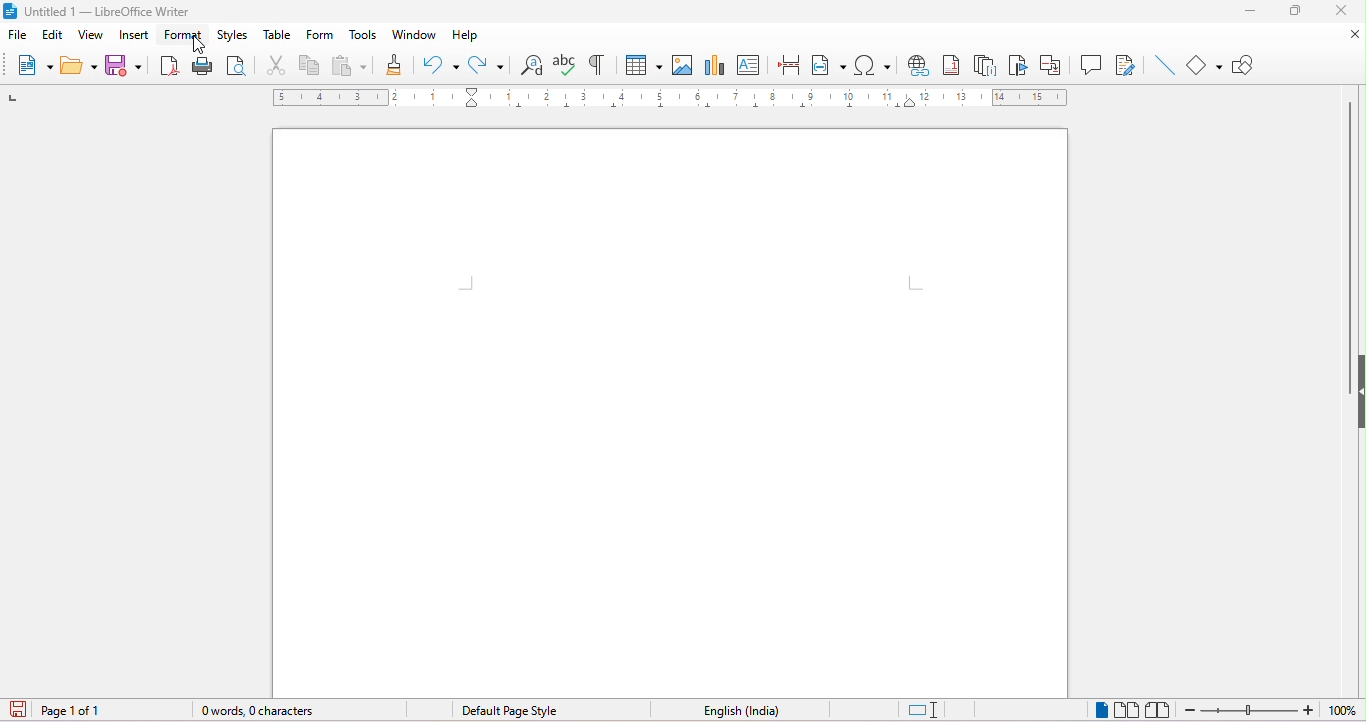  Describe the element at coordinates (641, 65) in the screenshot. I see `insert table` at that location.